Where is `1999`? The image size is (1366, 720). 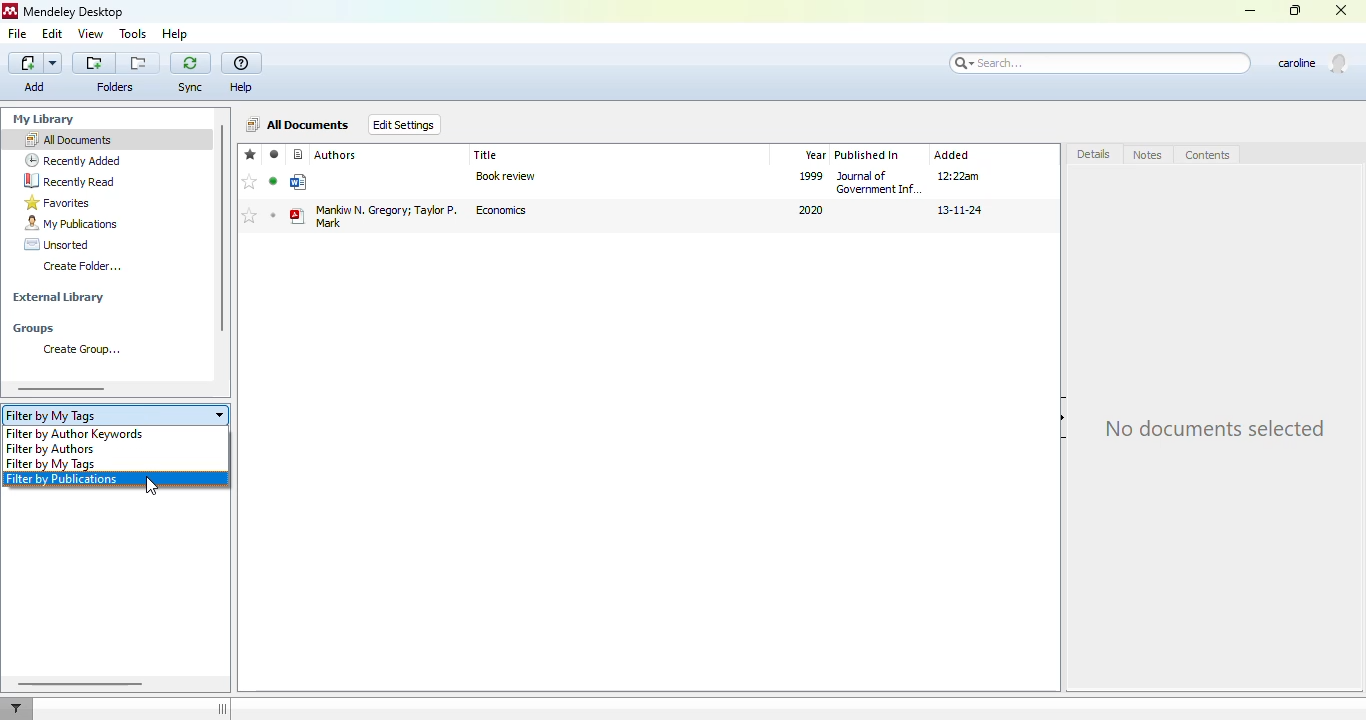 1999 is located at coordinates (811, 175).